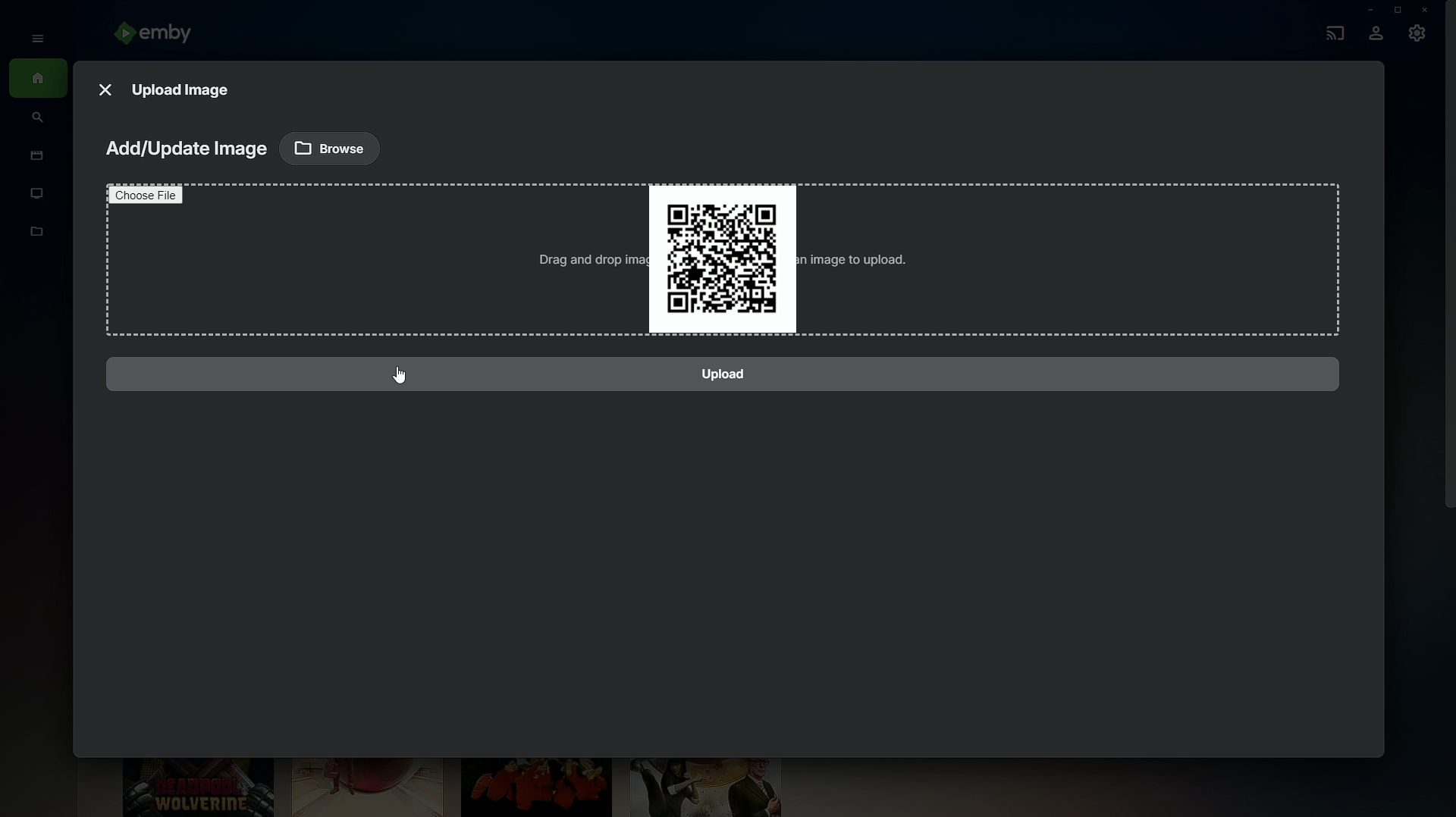 The width and height of the screenshot is (1456, 817). I want to click on Cursor, so click(401, 376).